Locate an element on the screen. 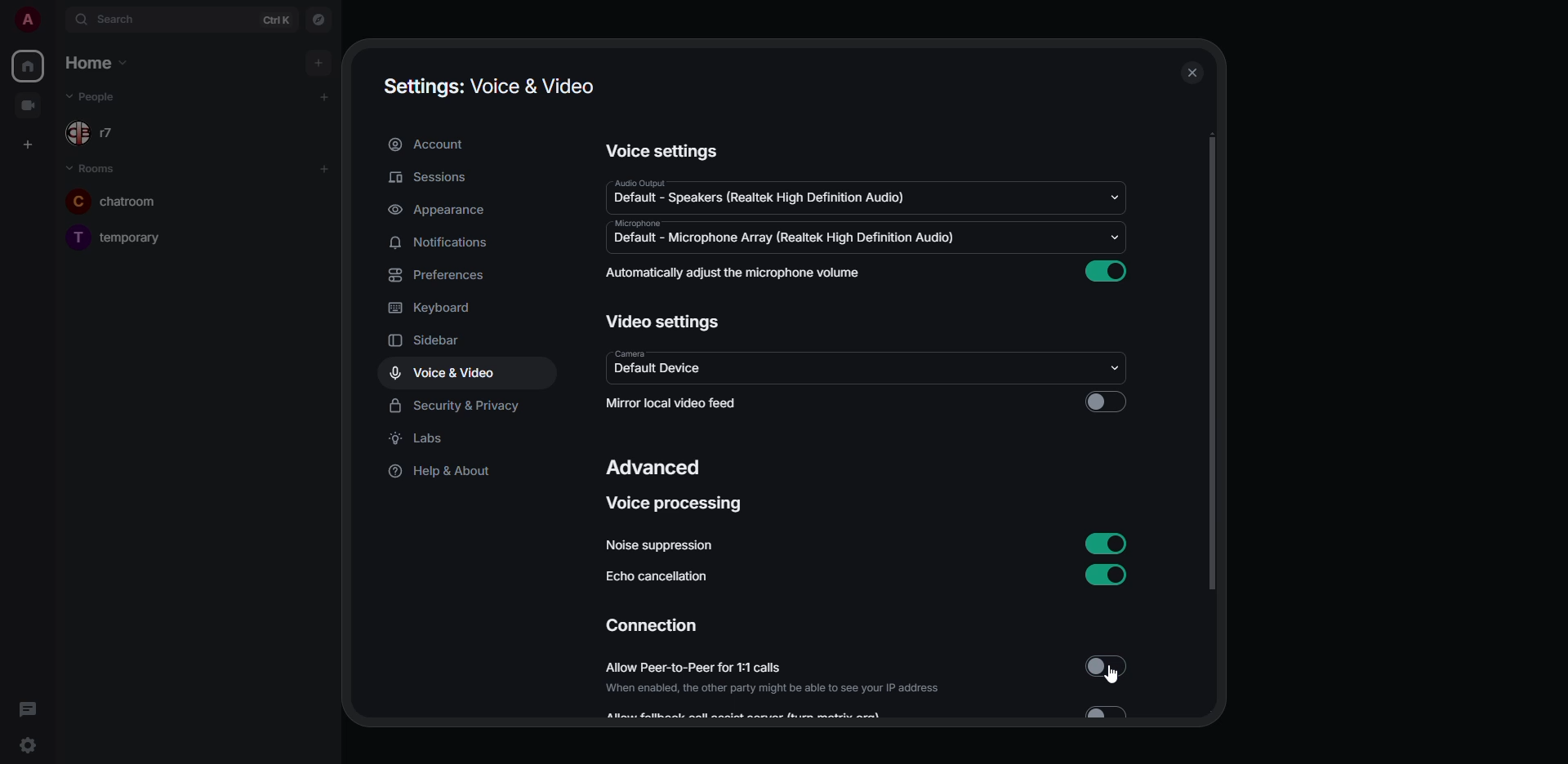  video room is located at coordinates (28, 104).